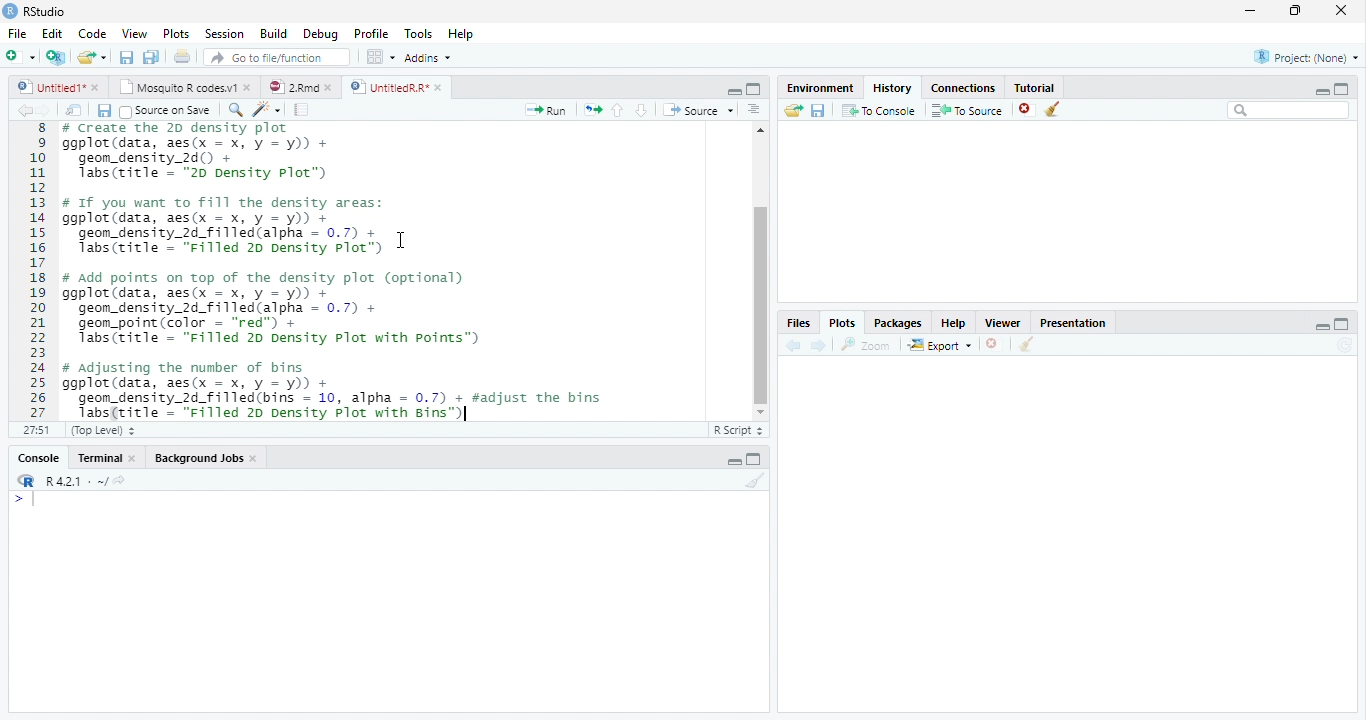 This screenshot has height=720, width=1366. What do you see at coordinates (20, 110) in the screenshot?
I see `back` at bounding box center [20, 110].